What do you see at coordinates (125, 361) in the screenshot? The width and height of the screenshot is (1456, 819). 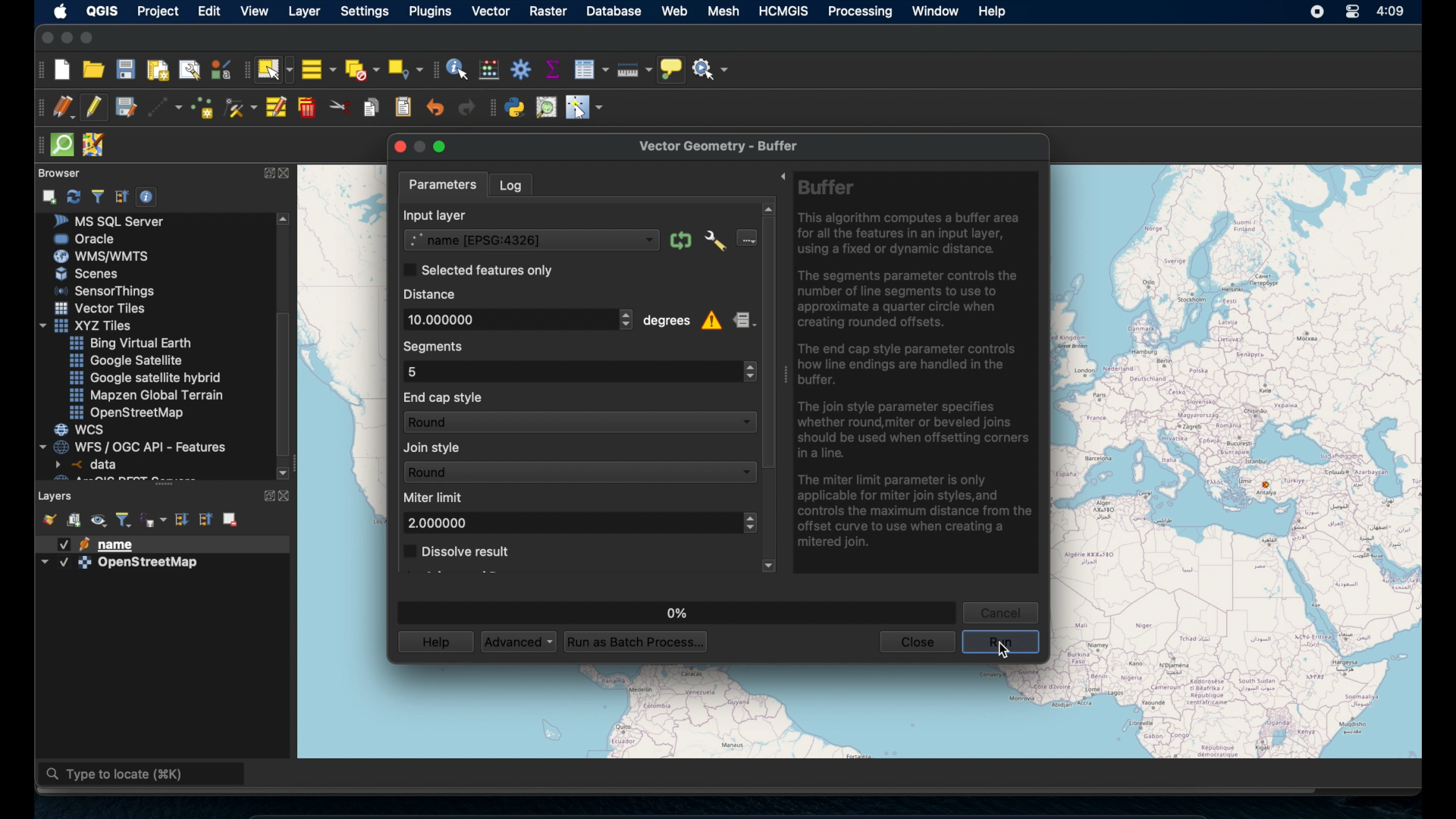 I see `google satellite` at bounding box center [125, 361].